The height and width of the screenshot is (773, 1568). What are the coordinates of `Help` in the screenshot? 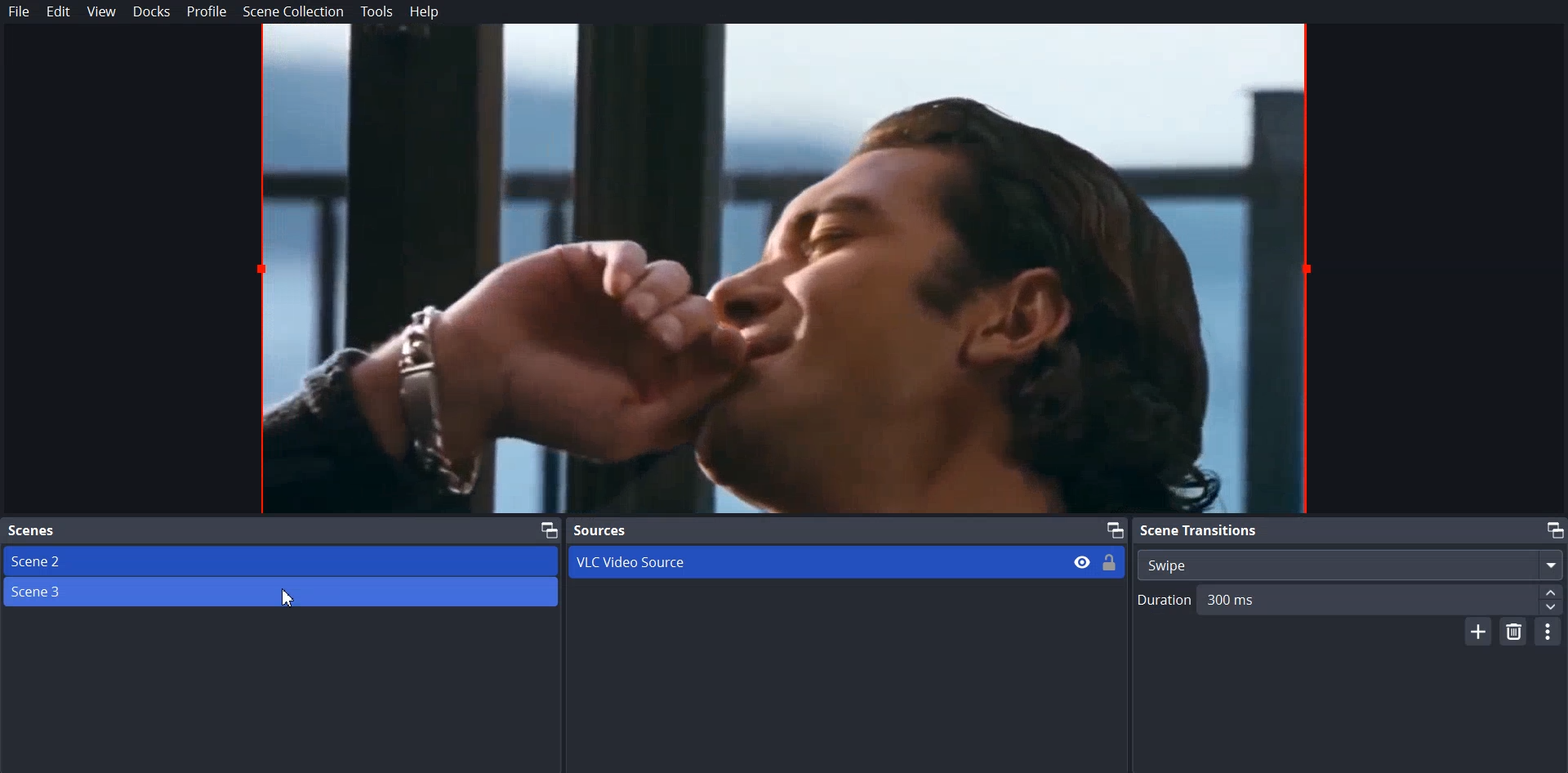 It's located at (420, 11).